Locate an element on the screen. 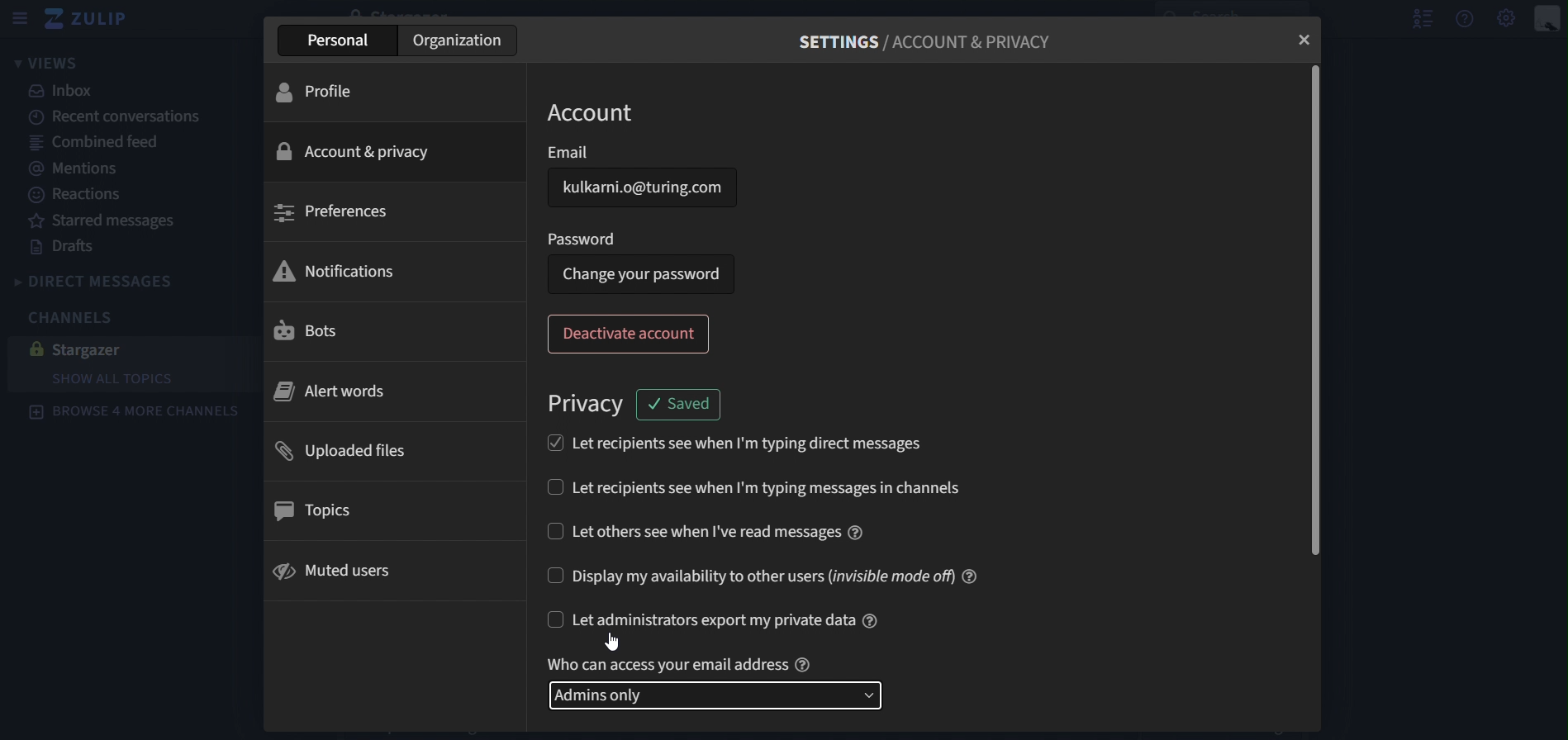 The width and height of the screenshot is (1568, 740). zulip is located at coordinates (93, 20).